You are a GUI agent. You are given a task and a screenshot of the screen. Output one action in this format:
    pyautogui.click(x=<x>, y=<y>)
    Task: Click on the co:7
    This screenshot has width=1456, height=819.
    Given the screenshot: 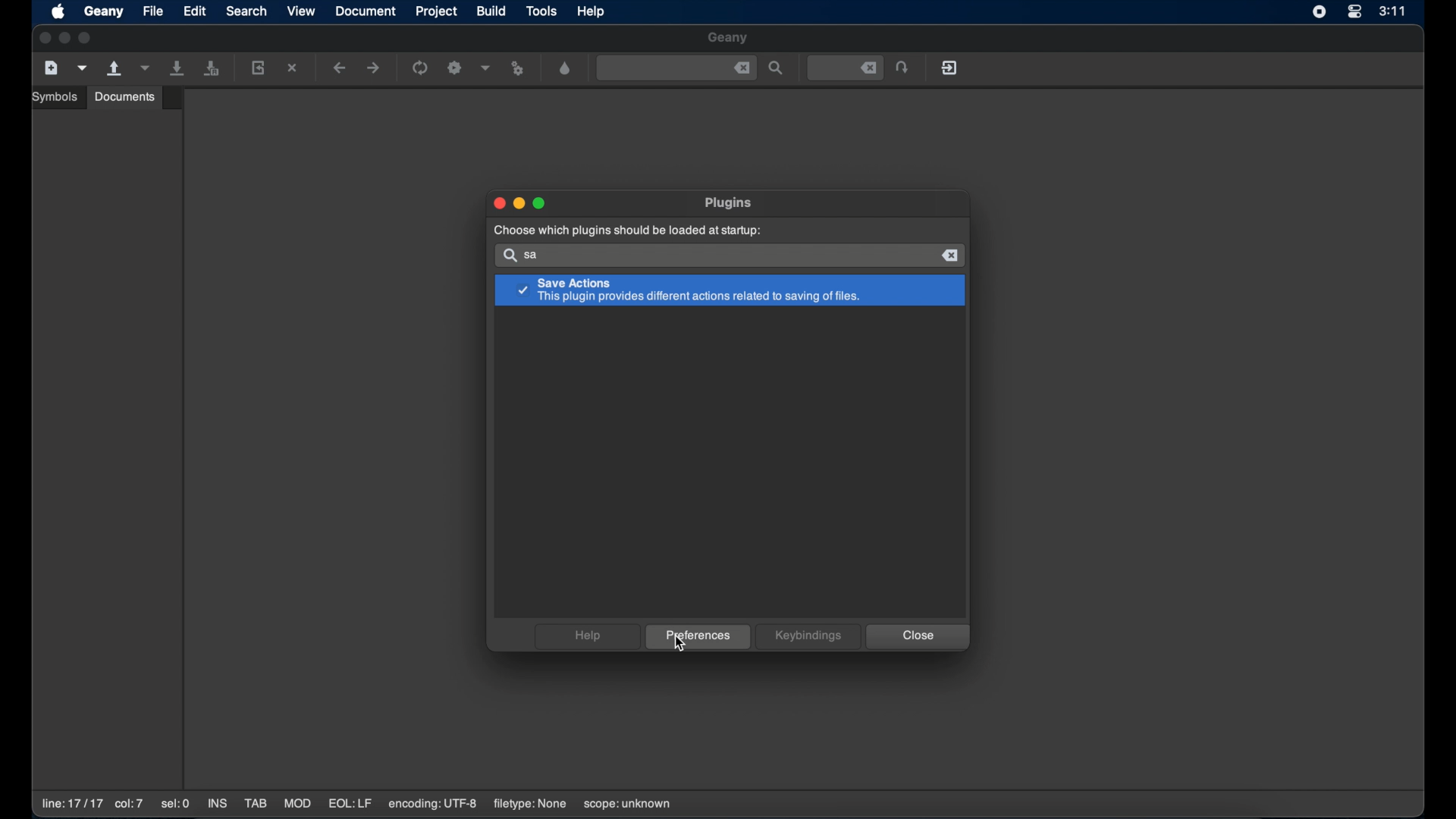 What is the action you would take?
    pyautogui.click(x=128, y=805)
    